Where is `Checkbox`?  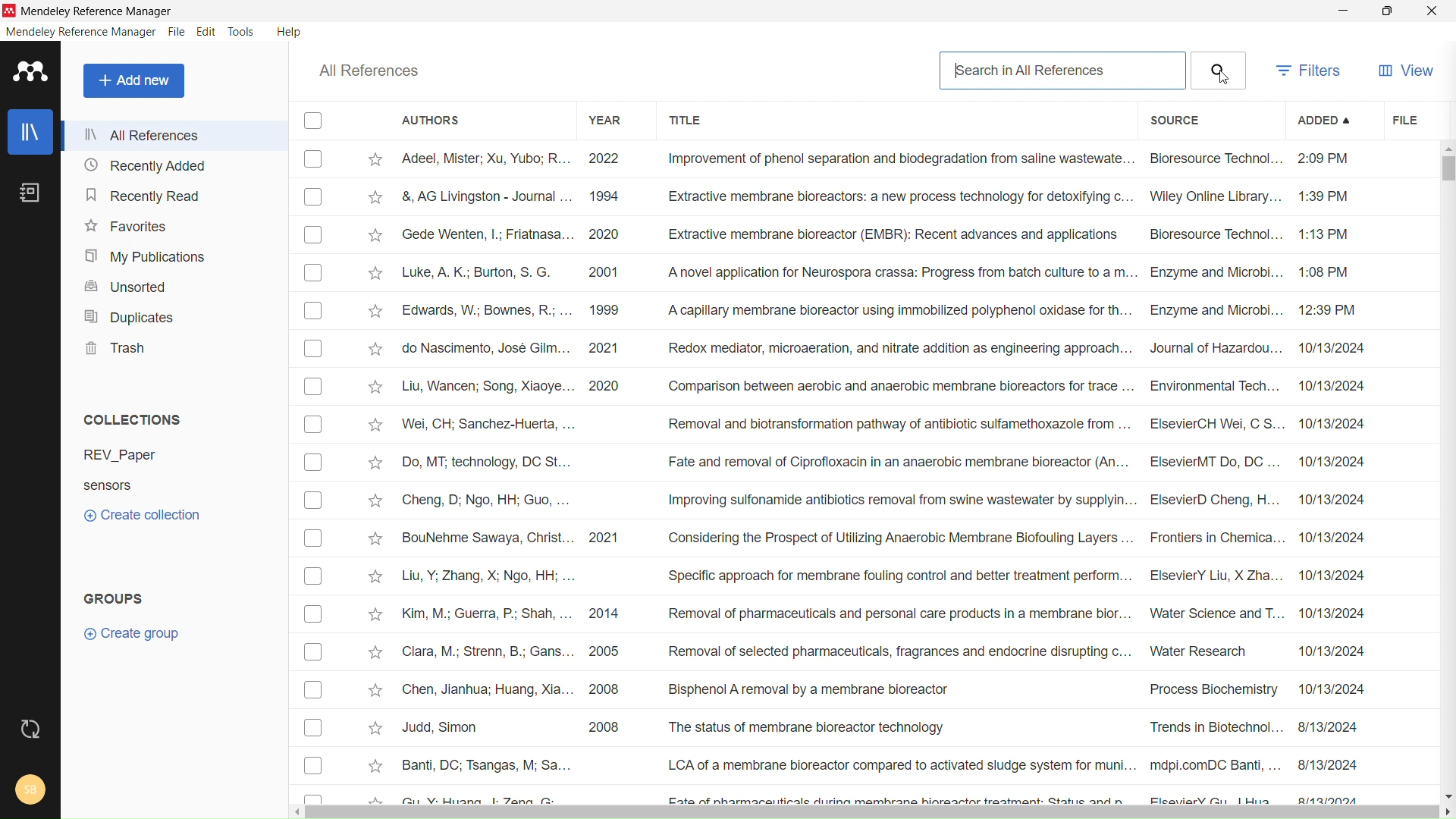
Checkbox is located at coordinates (314, 235).